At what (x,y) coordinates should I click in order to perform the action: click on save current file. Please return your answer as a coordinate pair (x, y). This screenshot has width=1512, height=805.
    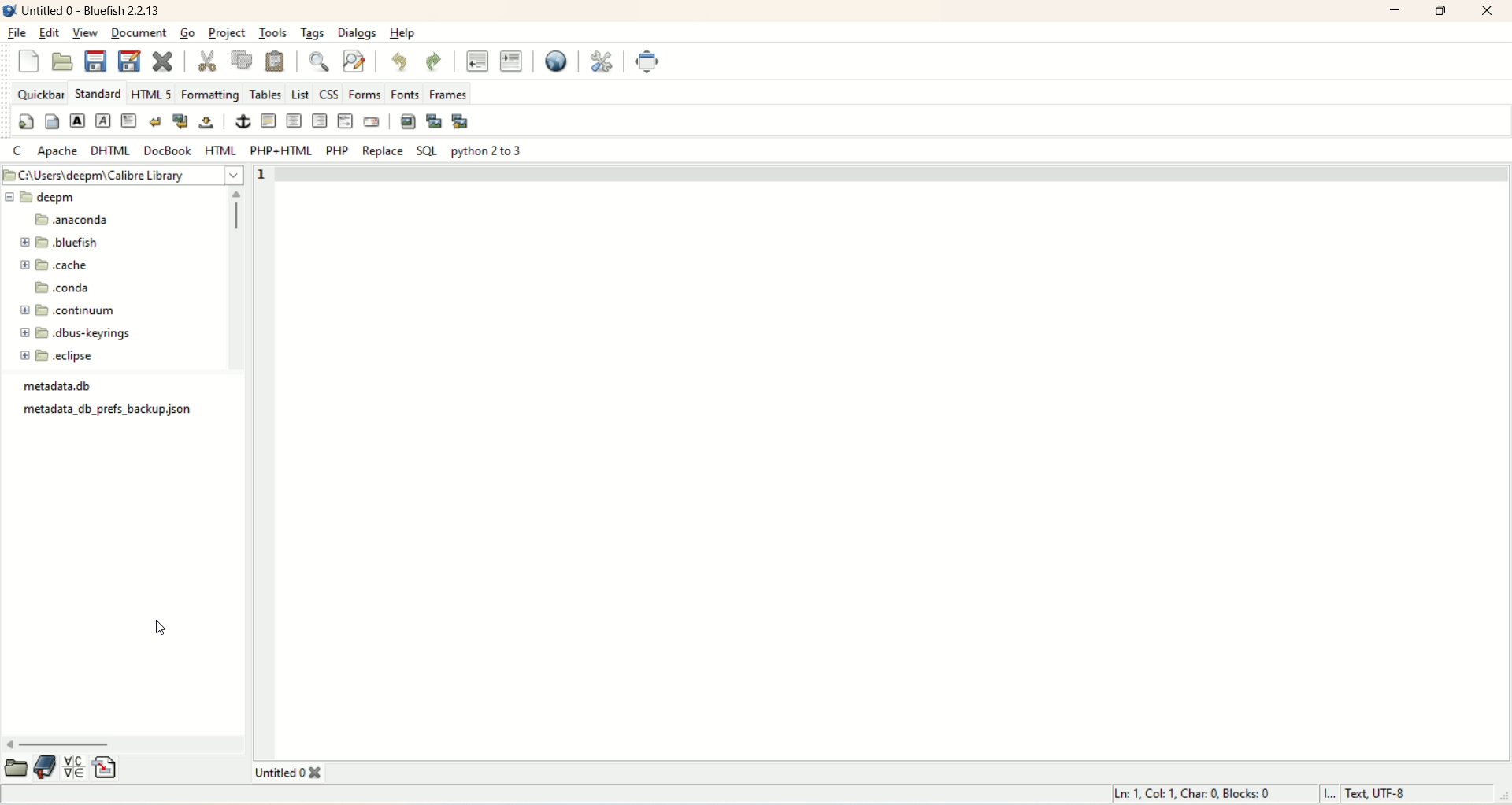
    Looking at the image, I should click on (95, 61).